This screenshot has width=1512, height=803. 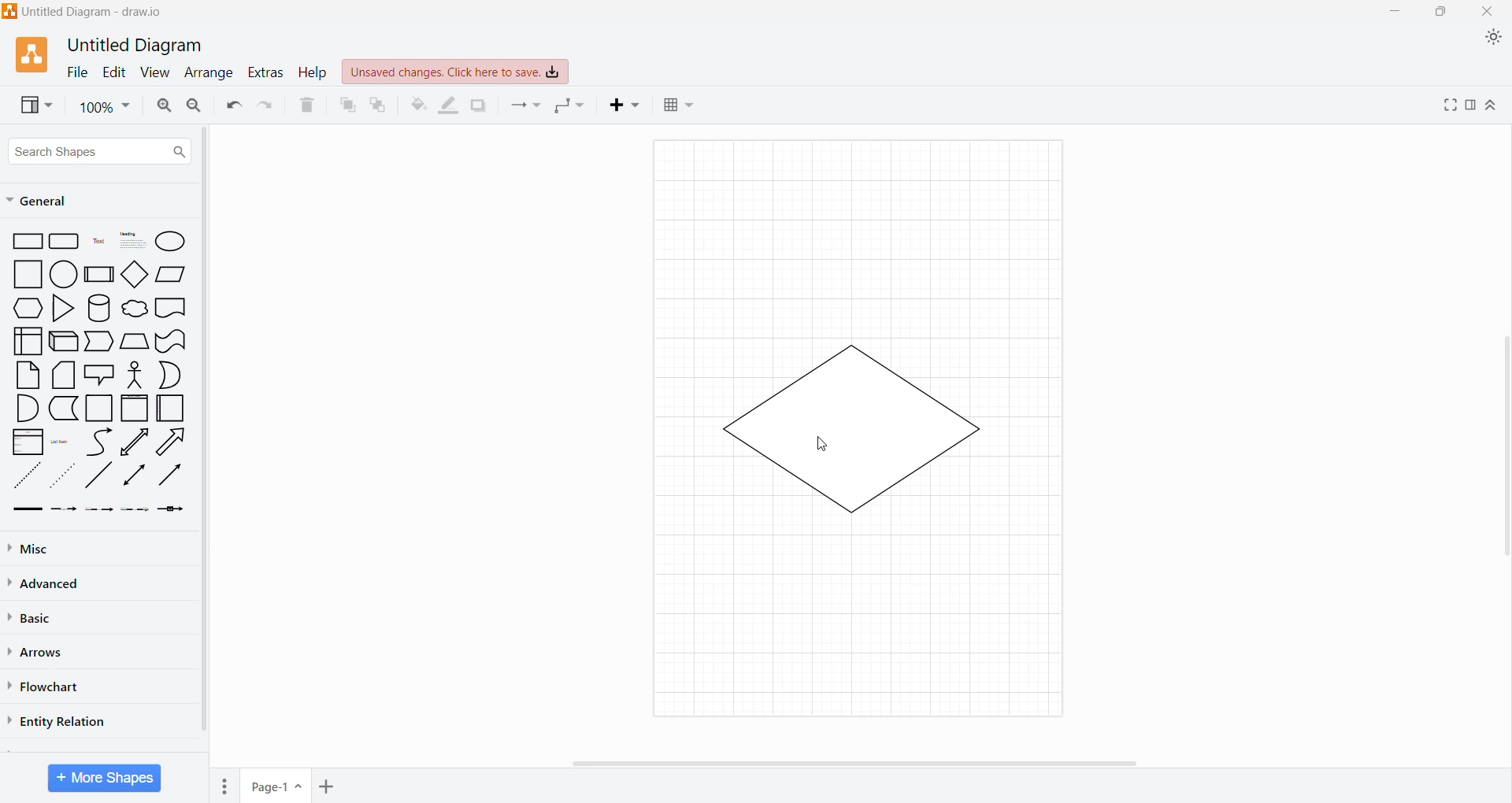 What do you see at coordinates (171, 309) in the screenshot?
I see `Document` at bounding box center [171, 309].